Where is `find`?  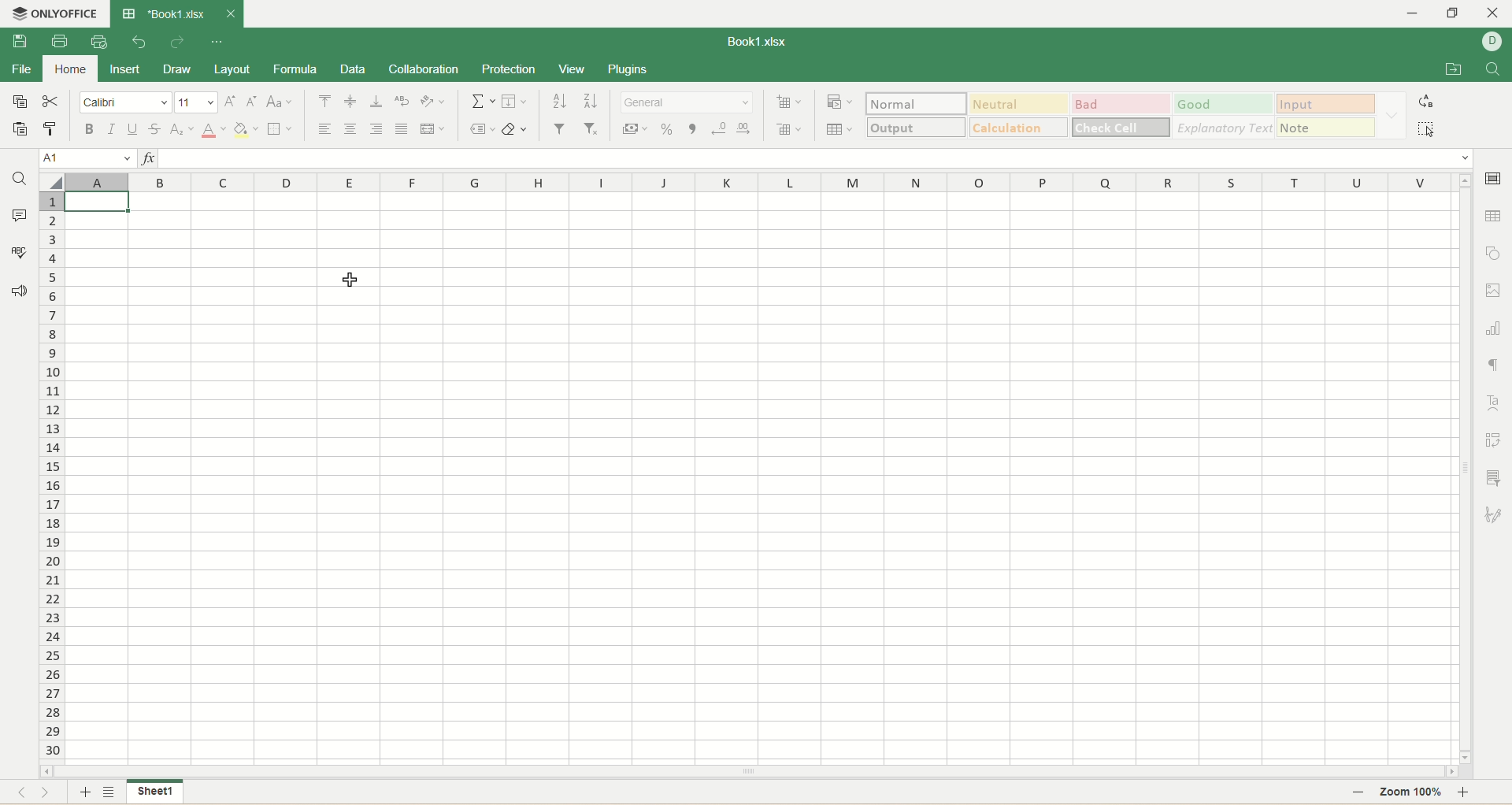
find is located at coordinates (1494, 69).